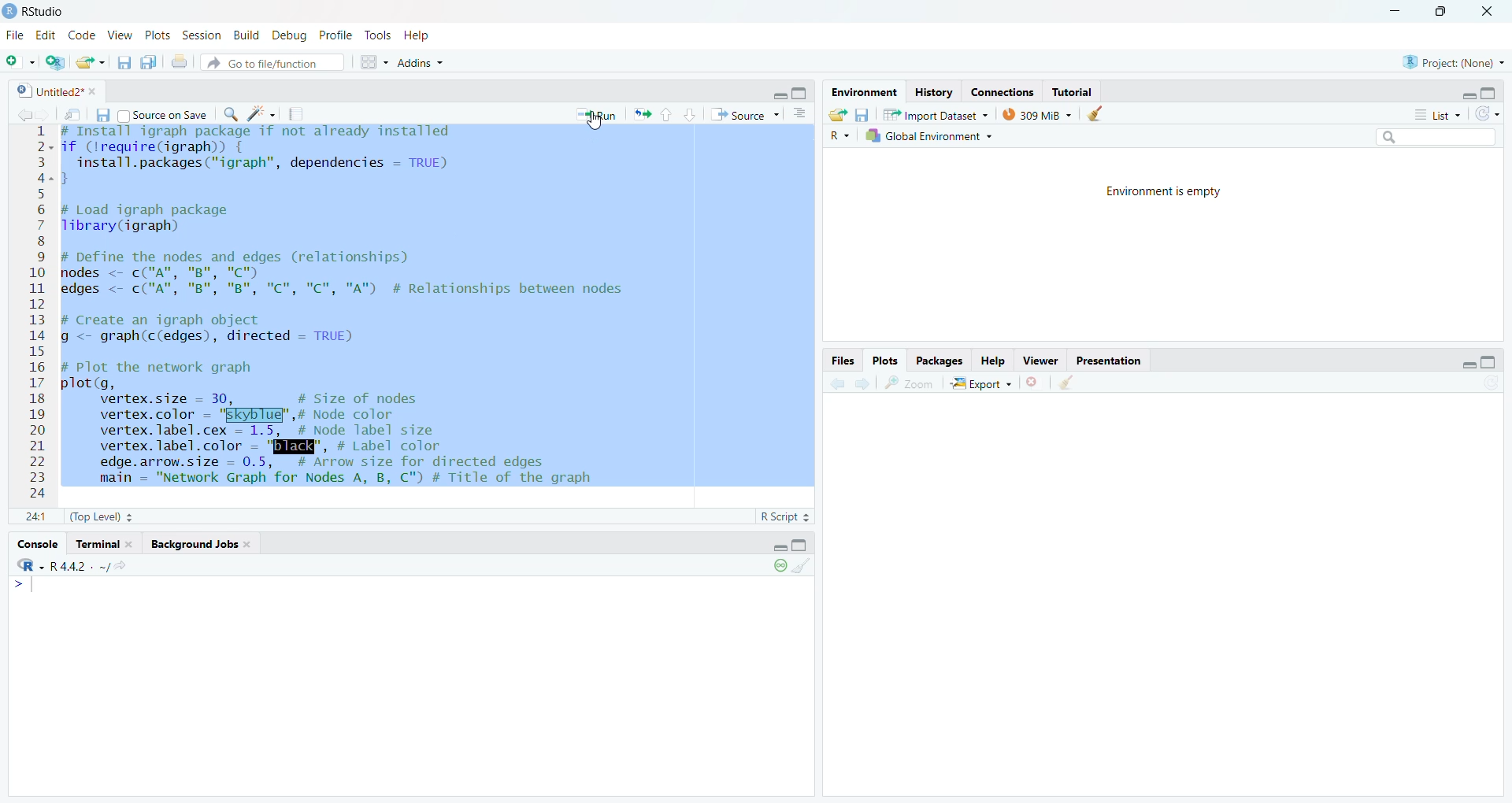  I want to click on save, so click(863, 114).